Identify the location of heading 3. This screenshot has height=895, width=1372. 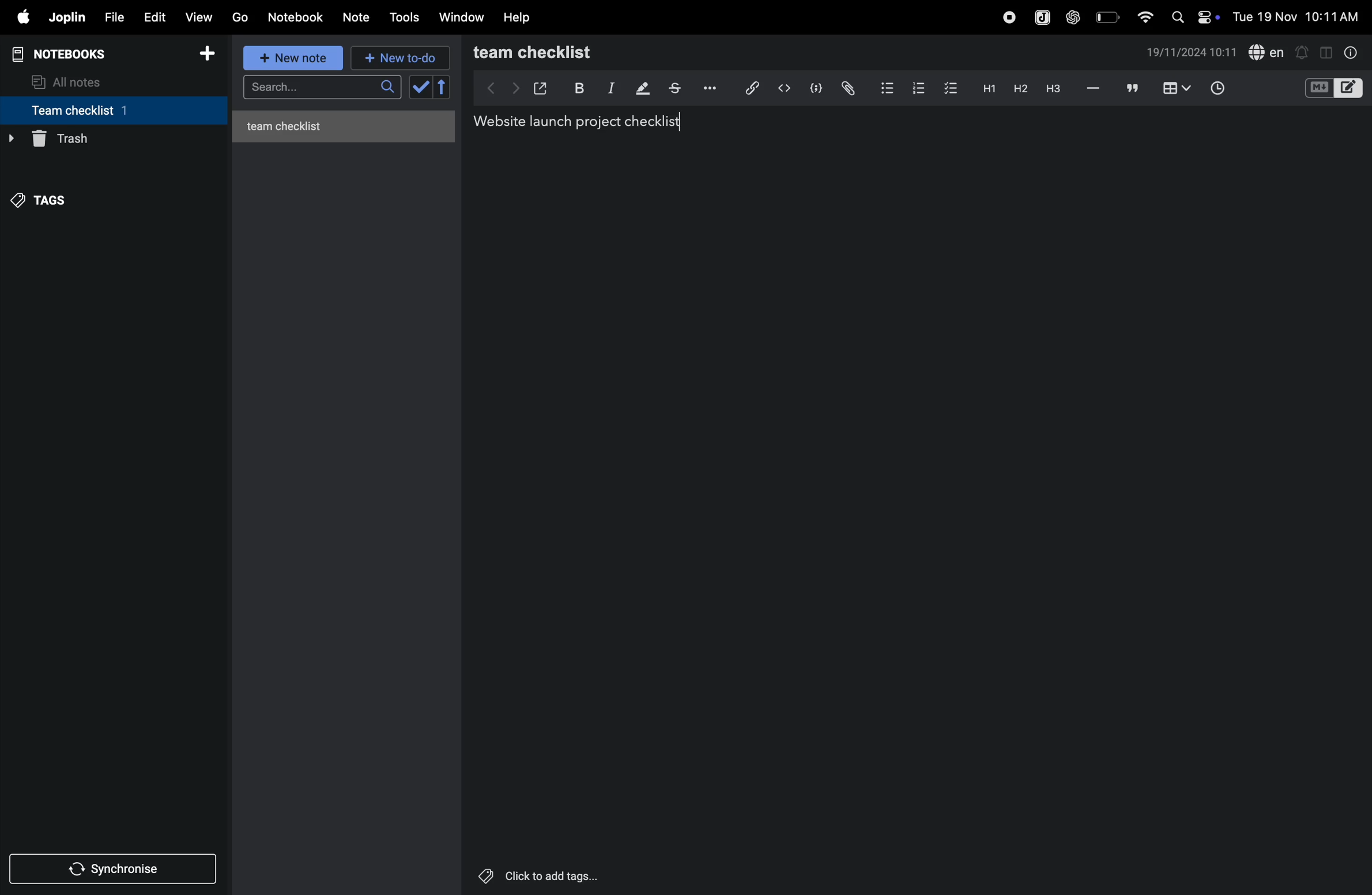
(1053, 88).